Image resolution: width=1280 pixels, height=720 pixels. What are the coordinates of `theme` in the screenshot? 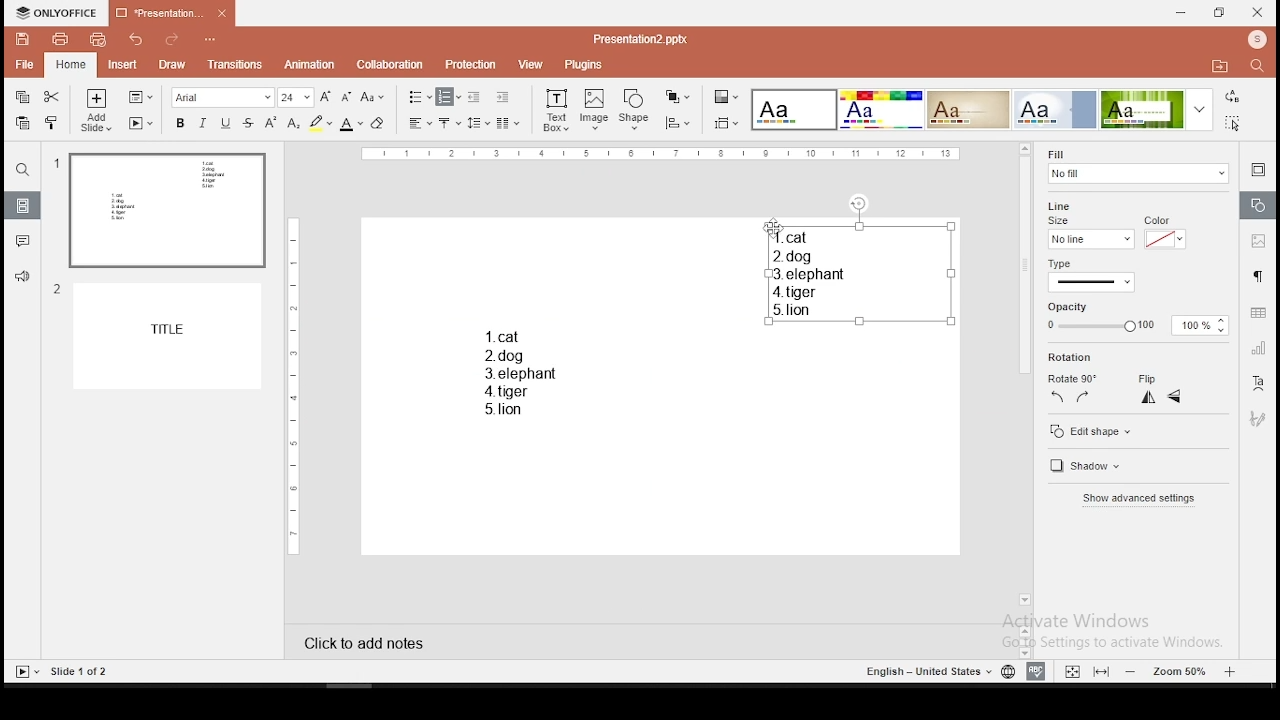 It's located at (1157, 109).